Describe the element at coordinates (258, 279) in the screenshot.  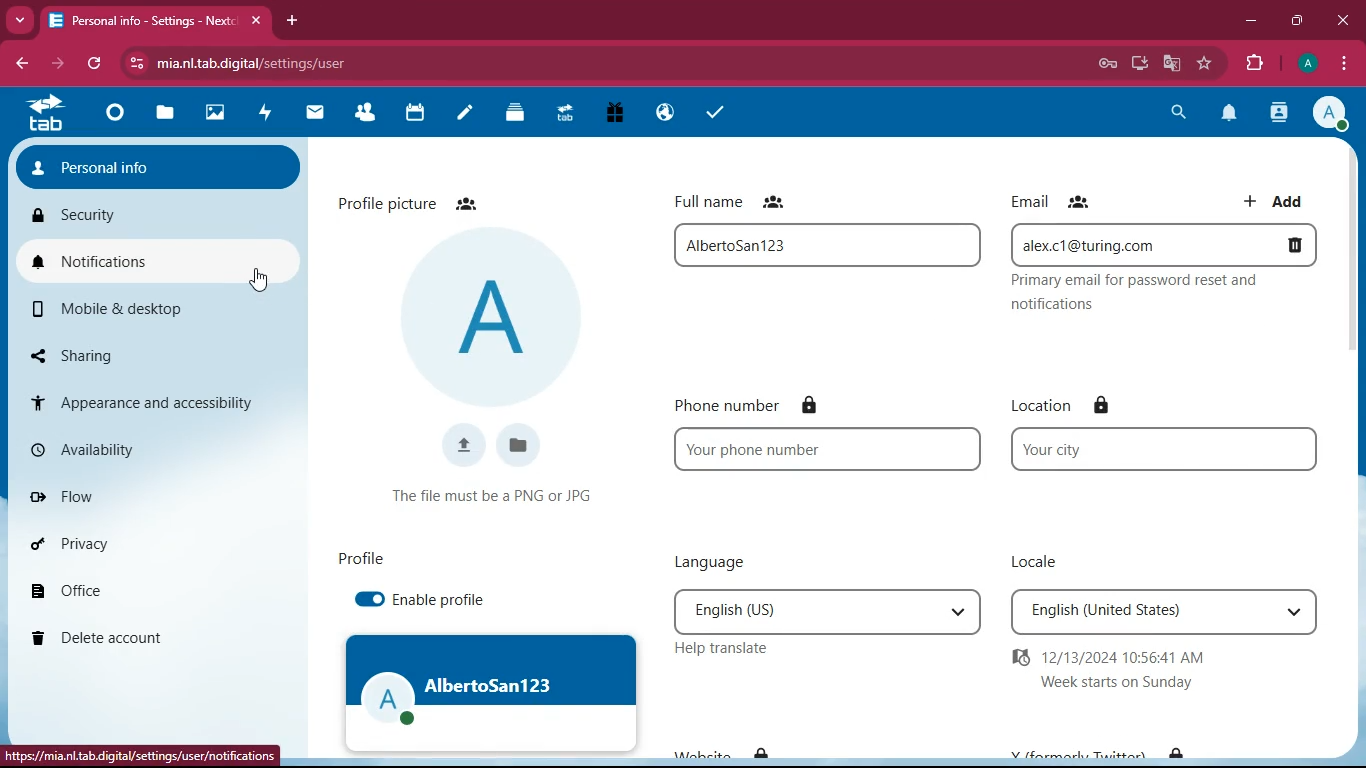
I see `cursor` at that location.